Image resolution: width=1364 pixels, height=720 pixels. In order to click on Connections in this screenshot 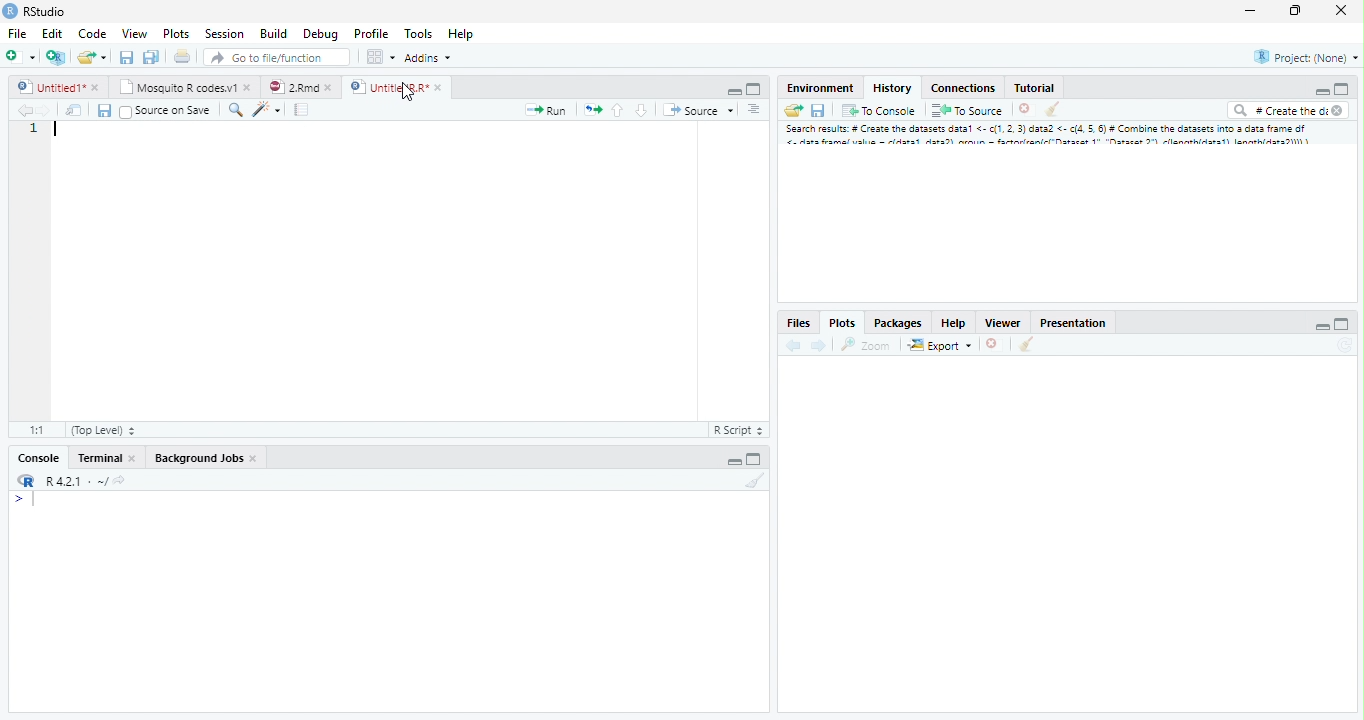, I will do `click(964, 88)`.